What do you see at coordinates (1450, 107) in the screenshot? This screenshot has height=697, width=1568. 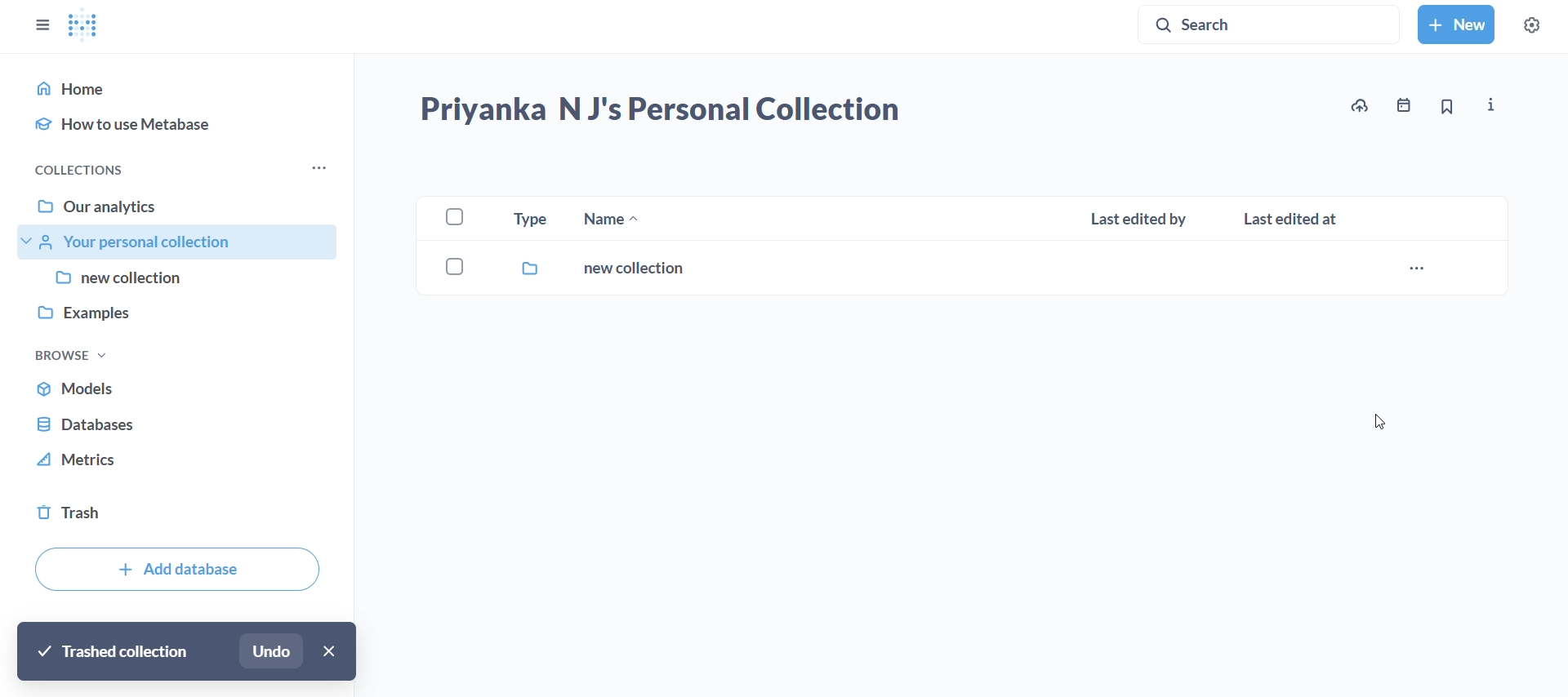 I see `bookmark` at bounding box center [1450, 107].